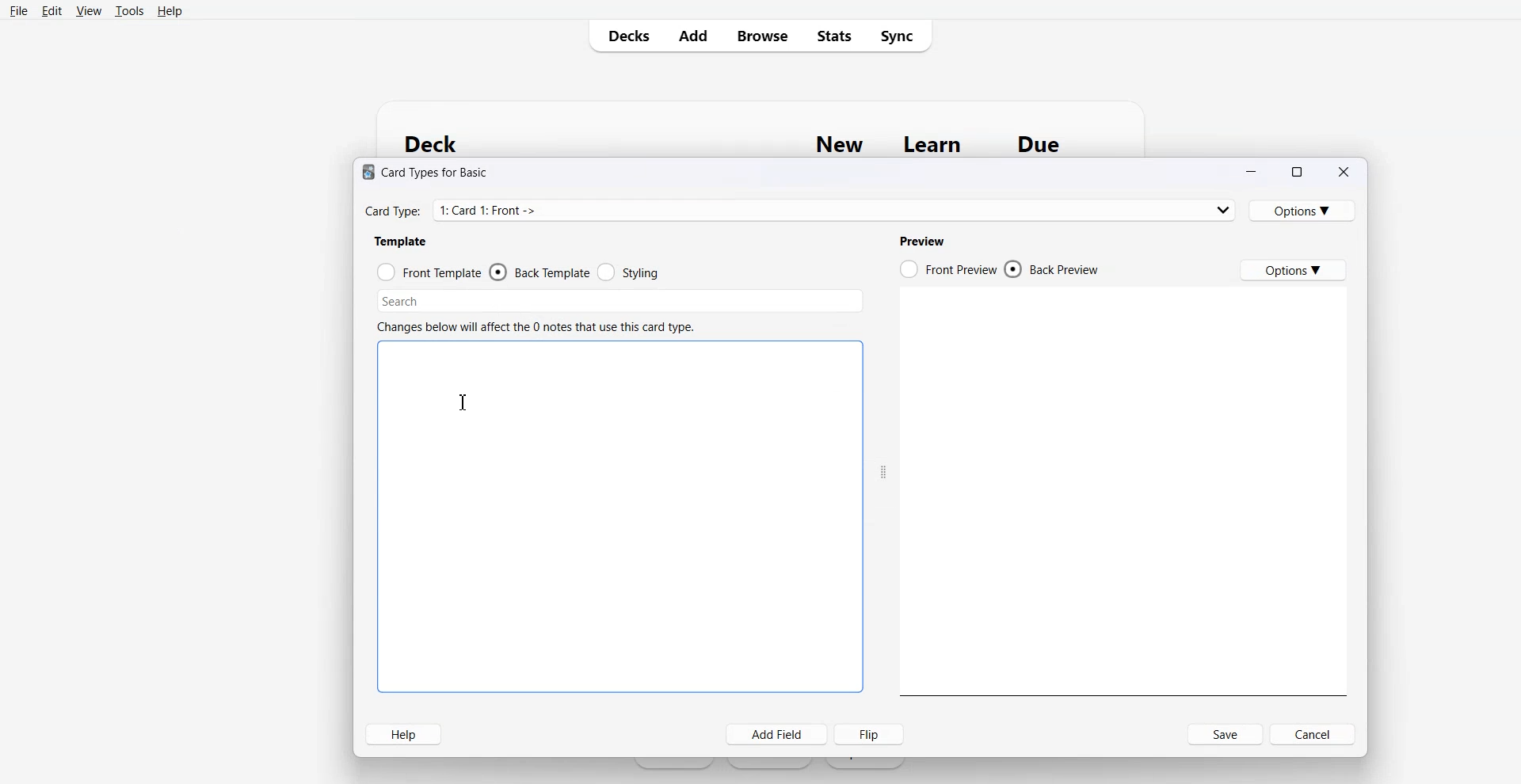  Describe the element at coordinates (869, 734) in the screenshot. I see `Flip` at that location.